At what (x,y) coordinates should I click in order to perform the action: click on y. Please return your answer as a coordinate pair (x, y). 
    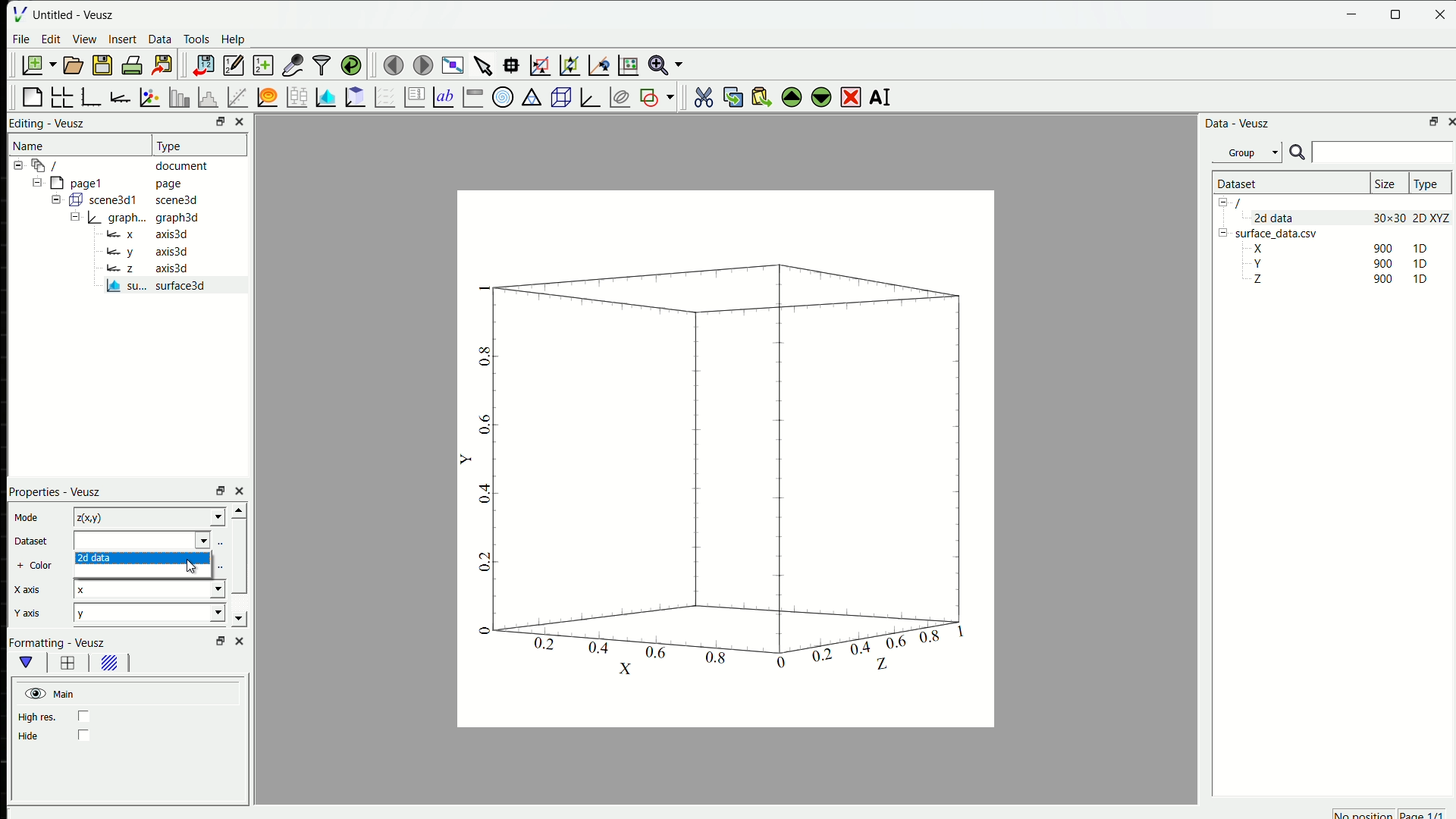
    Looking at the image, I should click on (121, 252).